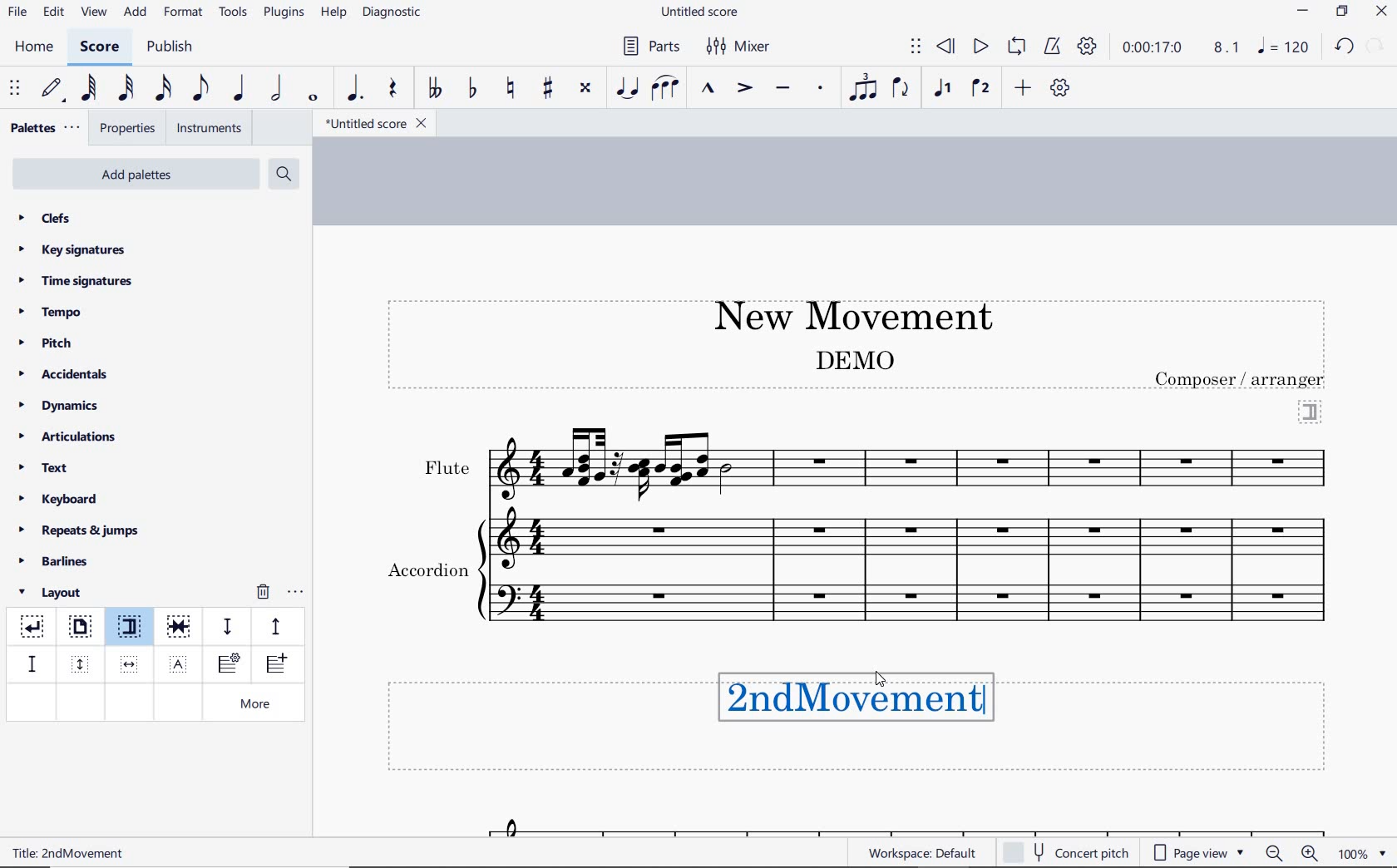 Image resolution: width=1397 pixels, height=868 pixels. What do you see at coordinates (744, 88) in the screenshot?
I see `accent` at bounding box center [744, 88].